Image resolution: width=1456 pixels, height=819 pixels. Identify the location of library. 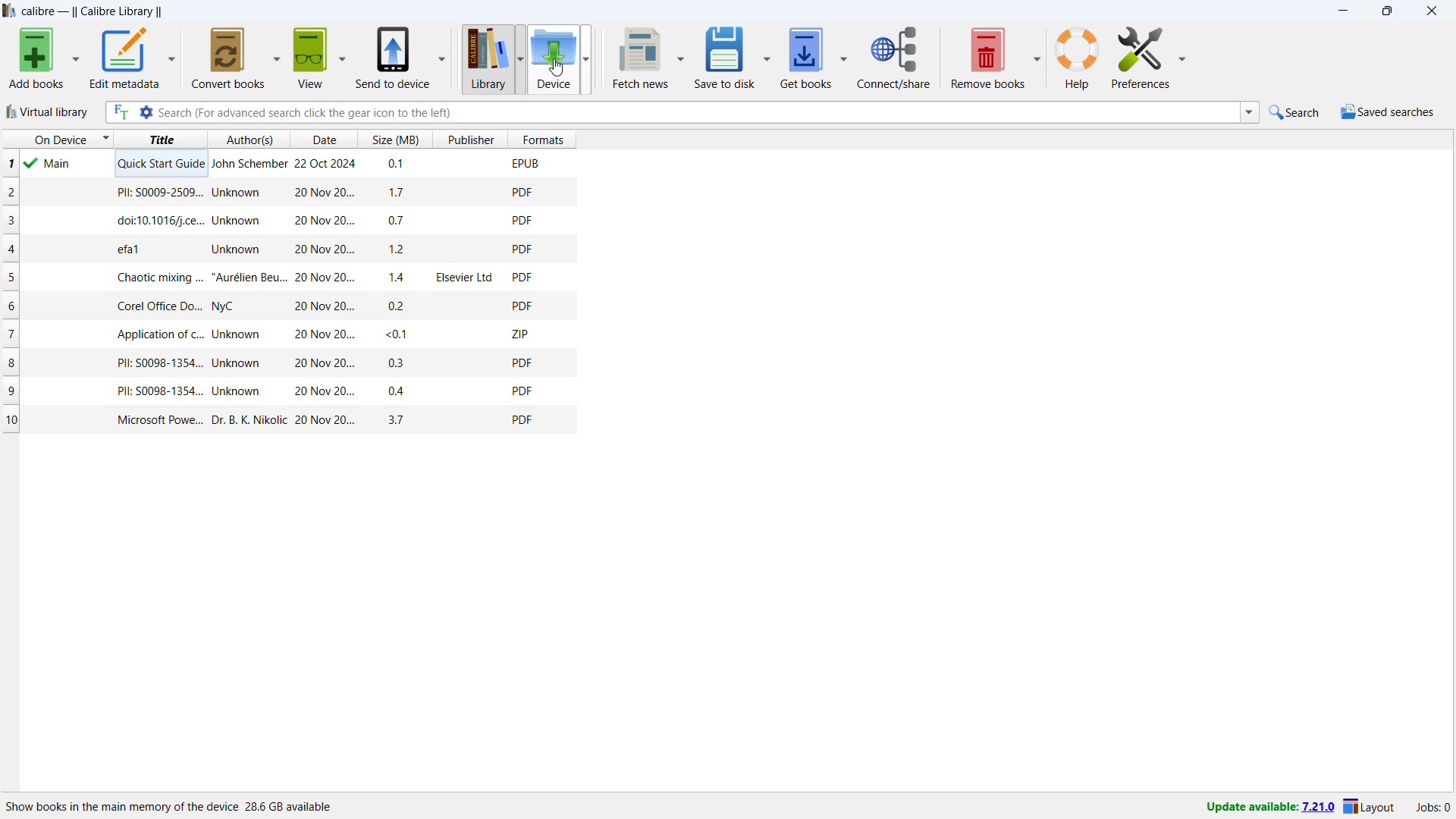
(482, 60).